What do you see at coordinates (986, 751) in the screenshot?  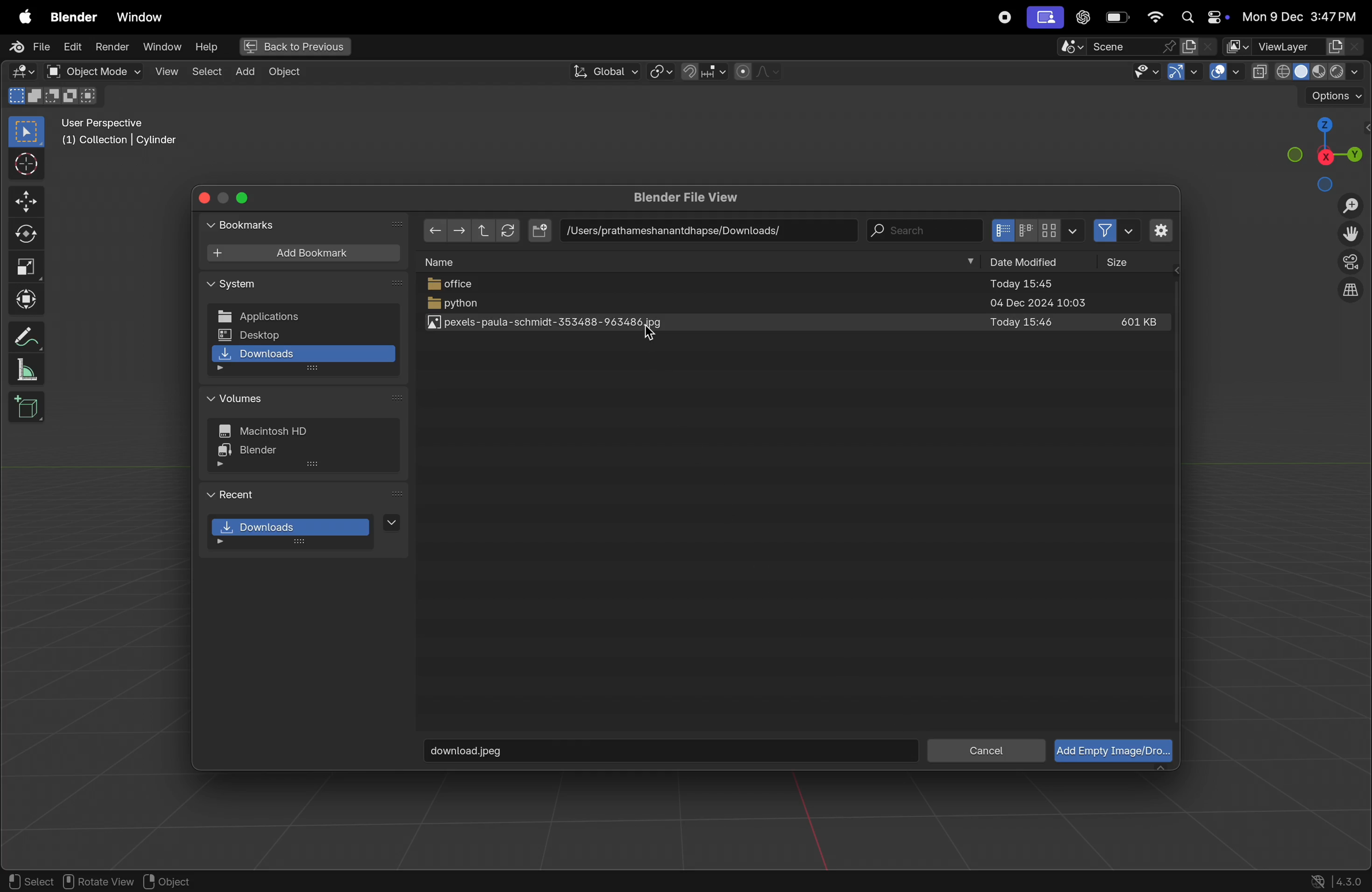 I see `cancel` at bounding box center [986, 751].